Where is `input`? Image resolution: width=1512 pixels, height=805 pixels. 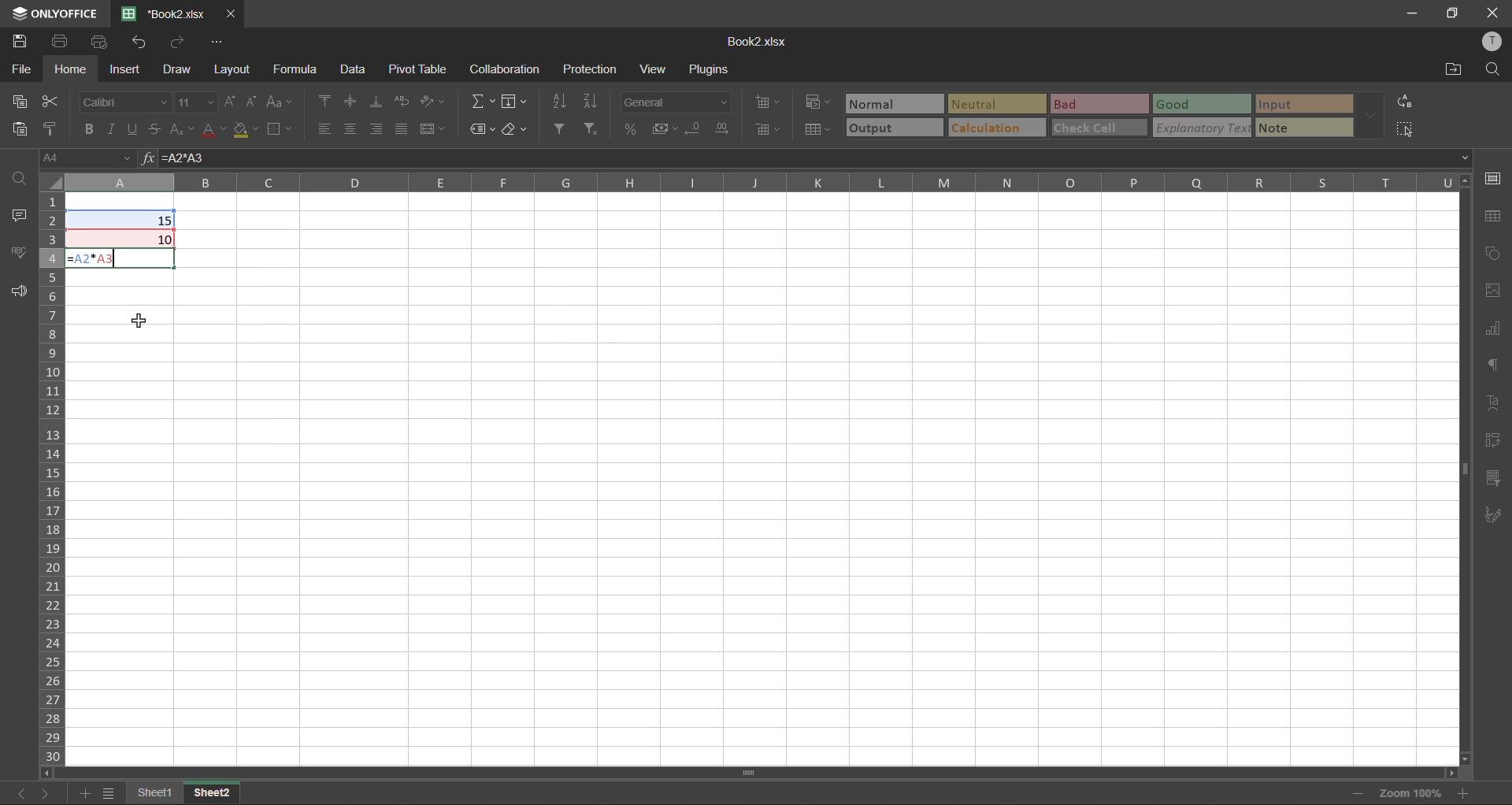 input is located at coordinates (1303, 105).